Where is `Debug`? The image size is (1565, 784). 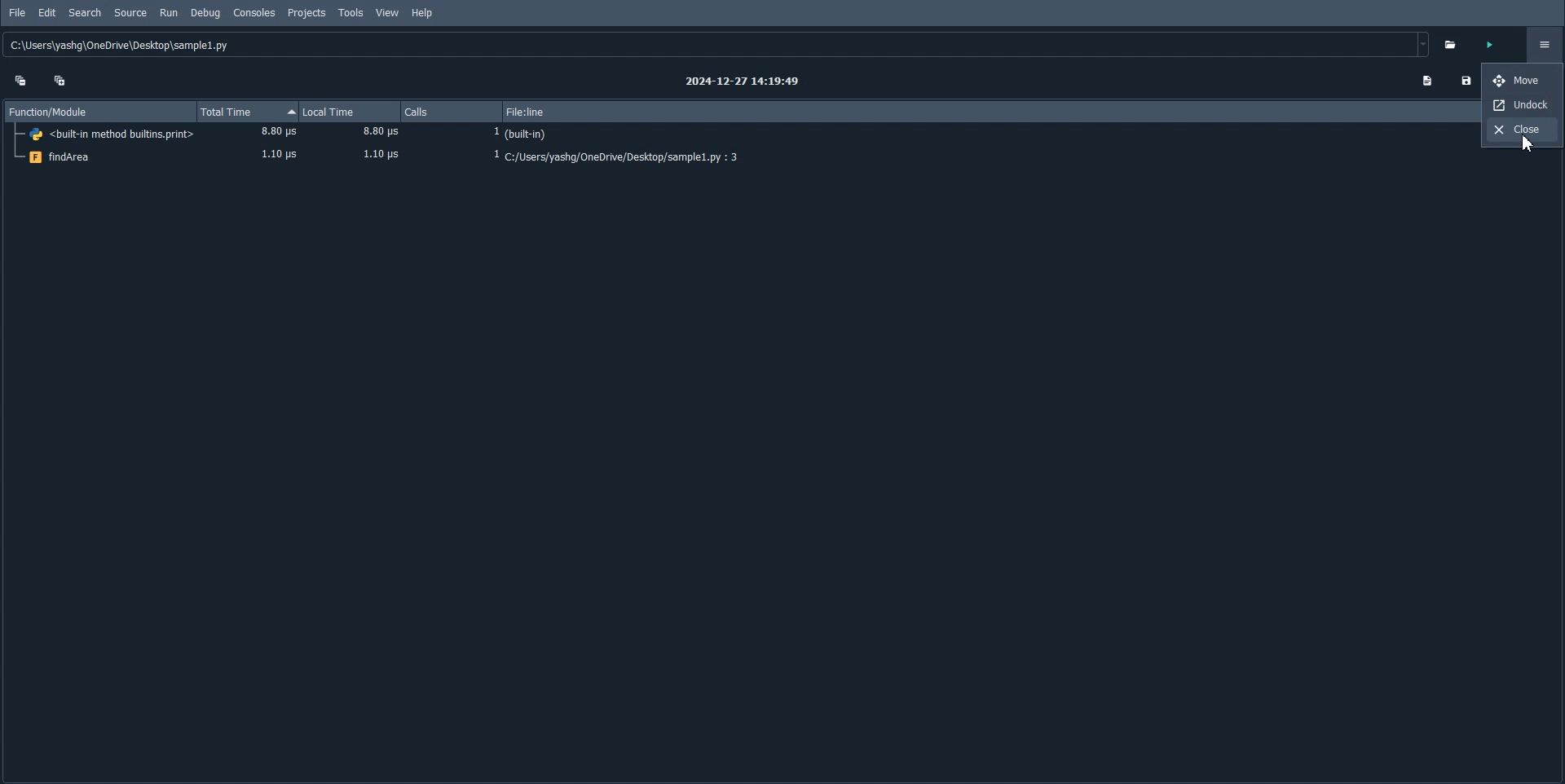
Debug is located at coordinates (204, 13).